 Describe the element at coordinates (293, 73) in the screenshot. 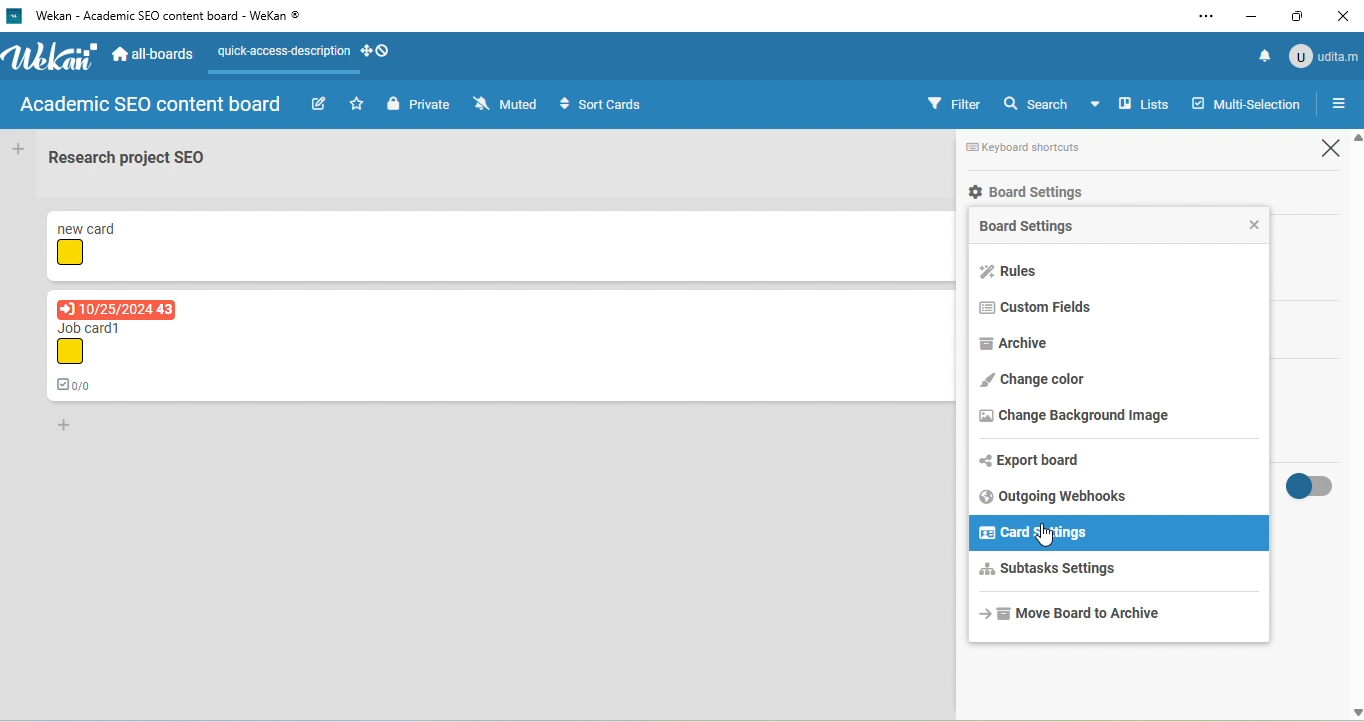

I see `line appeared` at that location.